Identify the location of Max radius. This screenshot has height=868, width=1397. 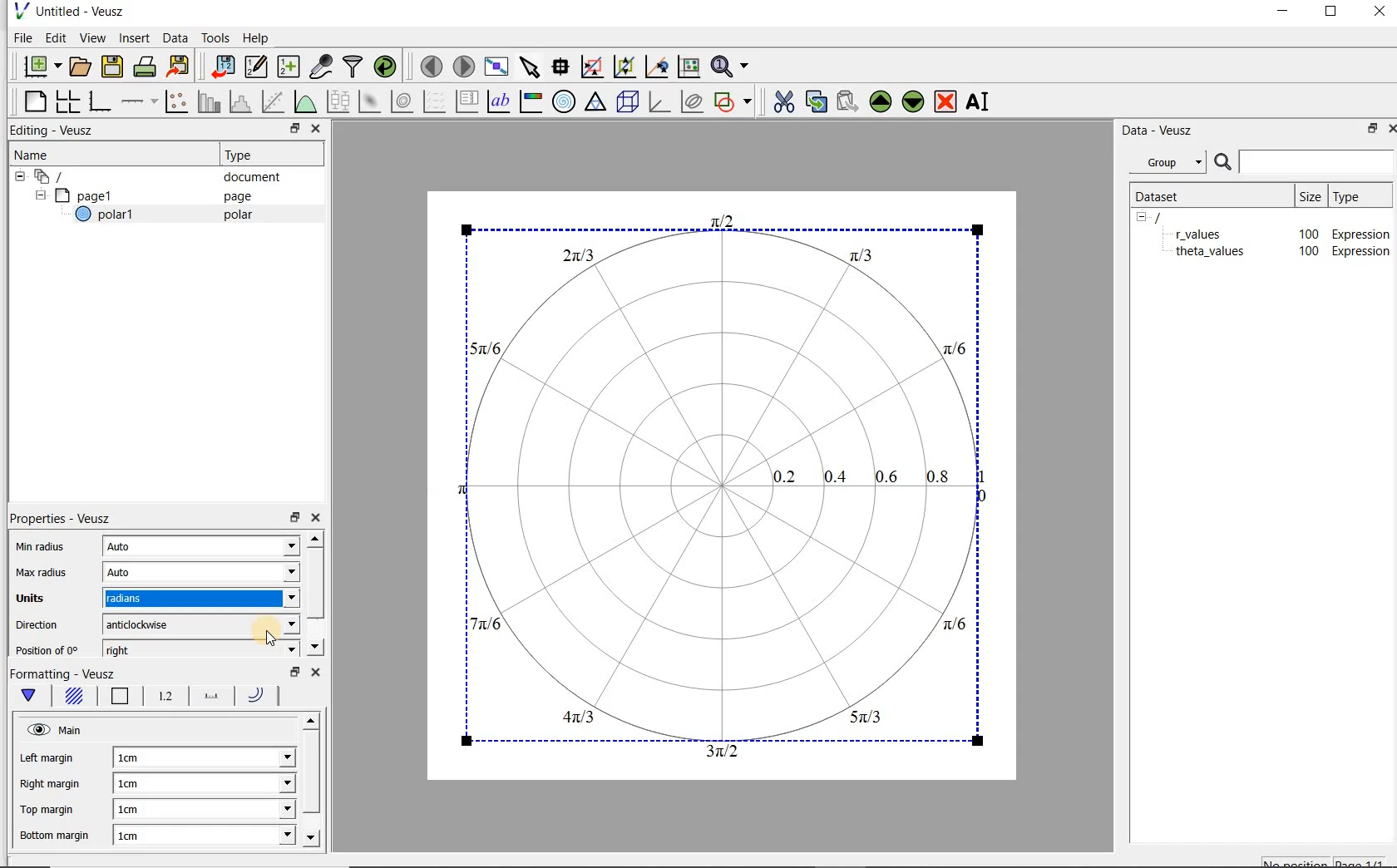
(39, 571).